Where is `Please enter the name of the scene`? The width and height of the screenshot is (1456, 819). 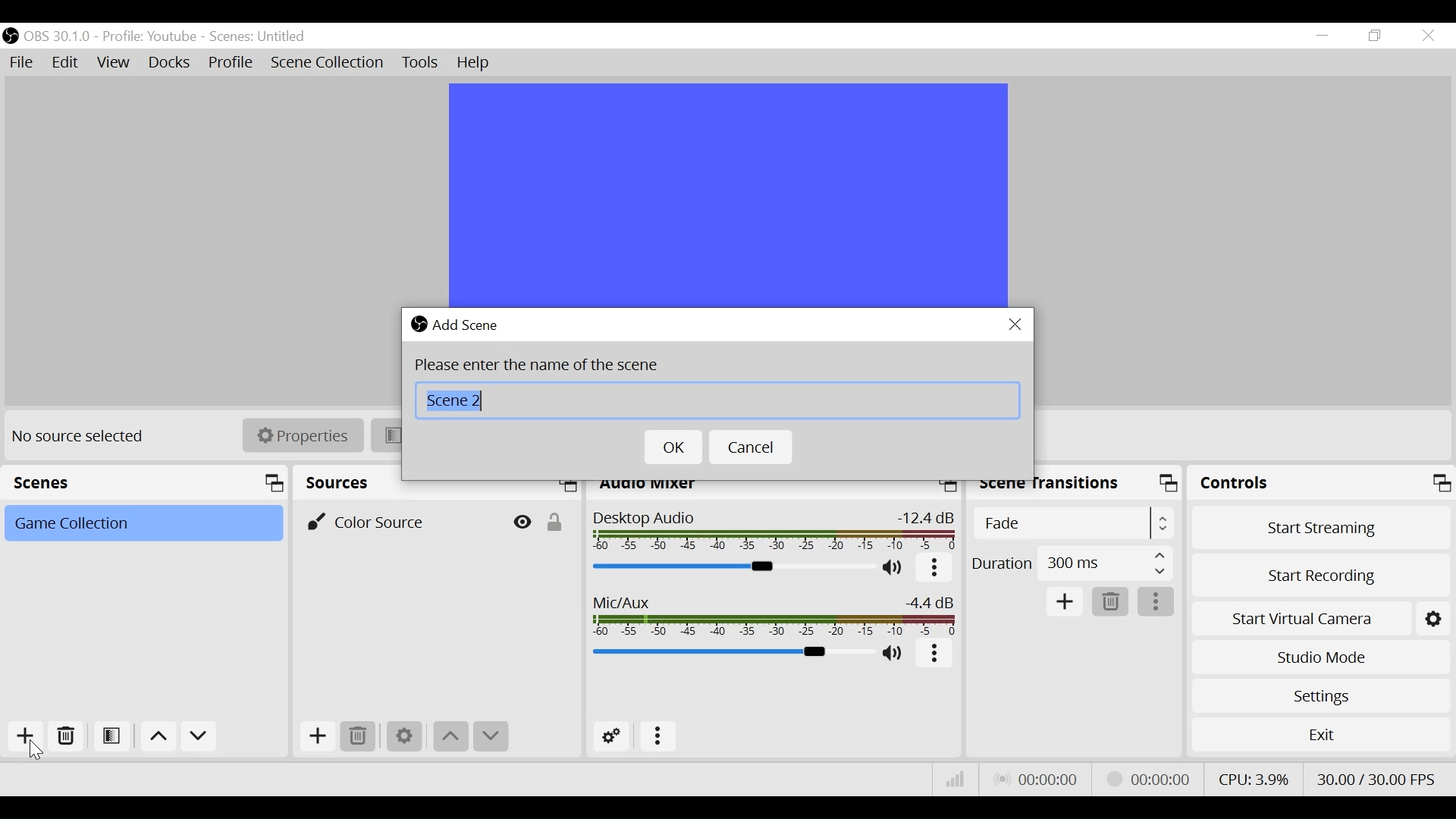
Please enter the name of the scene is located at coordinates (536, 365).